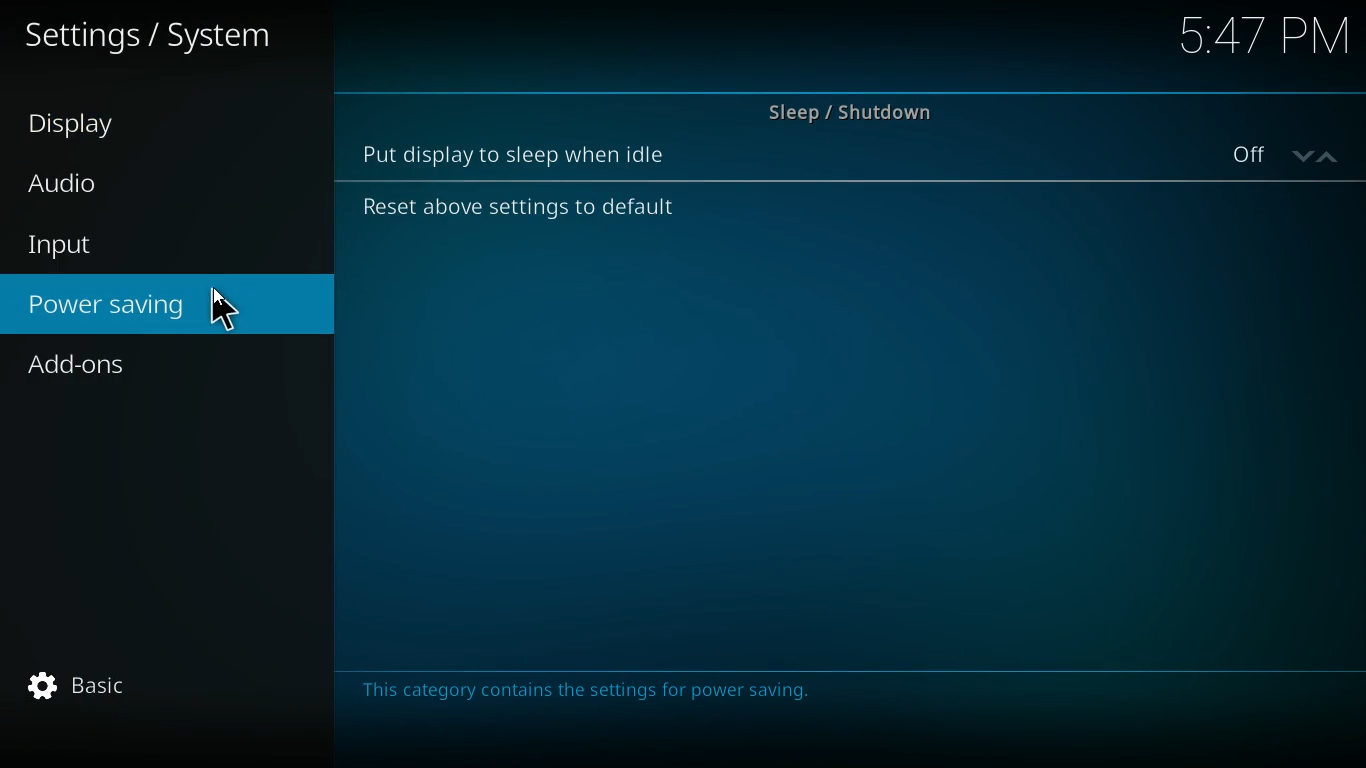 The height and width of the screenshot is (768, 1366). I want to click on reset above settings do default, so click(510, 210).